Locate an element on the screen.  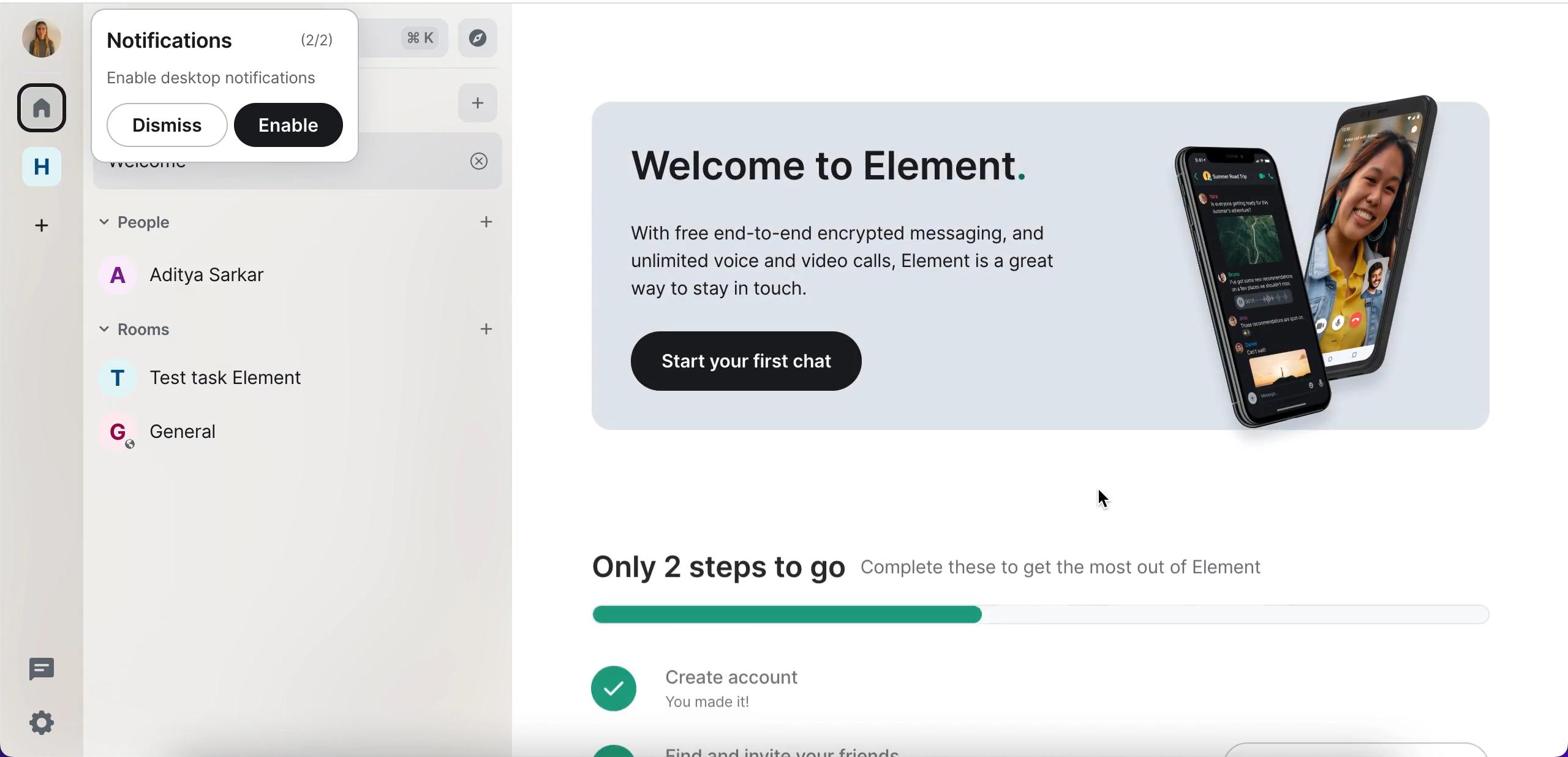
a aditya sarkar is located at coordinates (234, 277).